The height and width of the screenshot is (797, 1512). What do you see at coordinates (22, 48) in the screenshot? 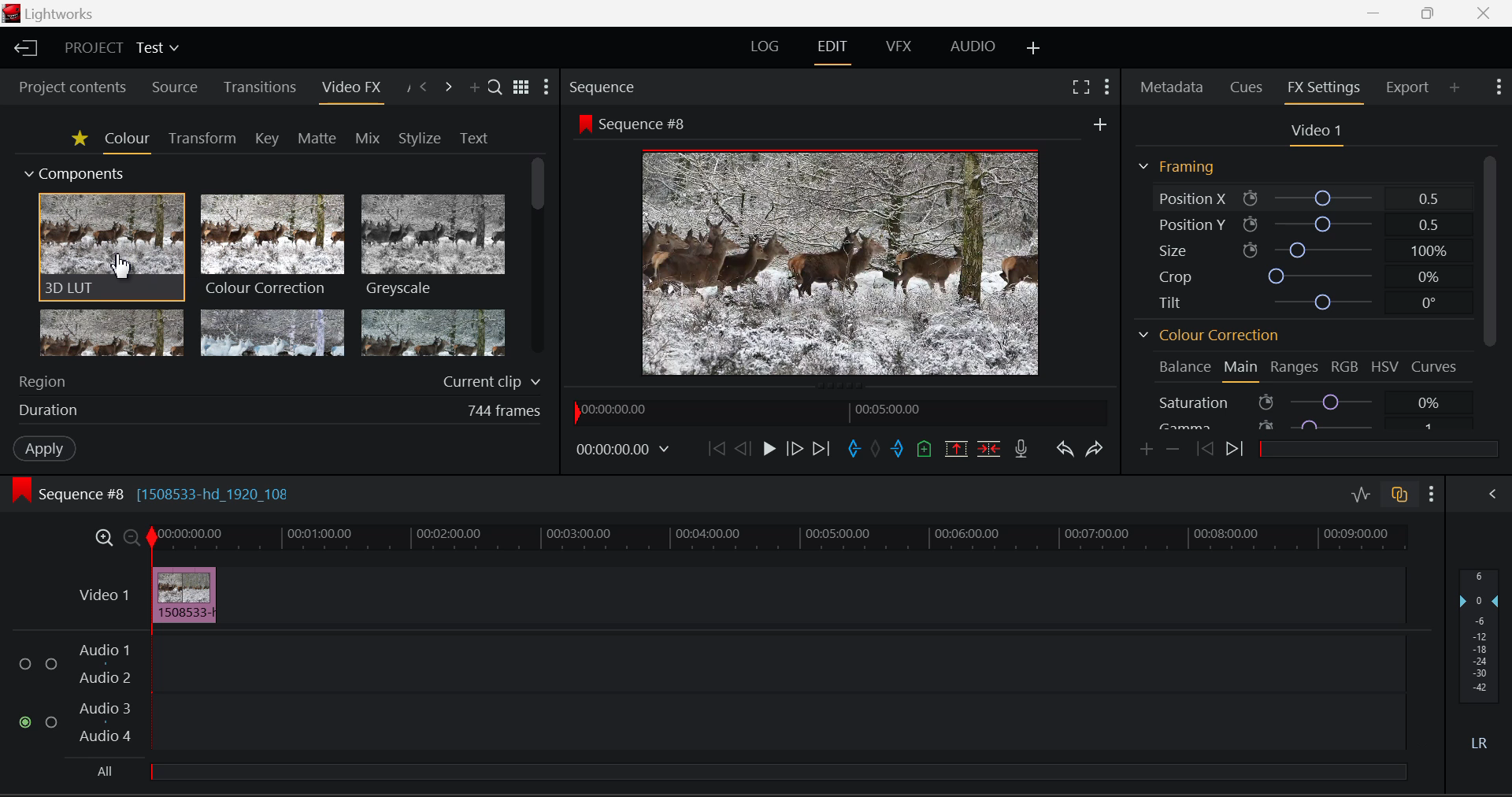
I see `Back to Homepage` at bounding box center [22, 48].